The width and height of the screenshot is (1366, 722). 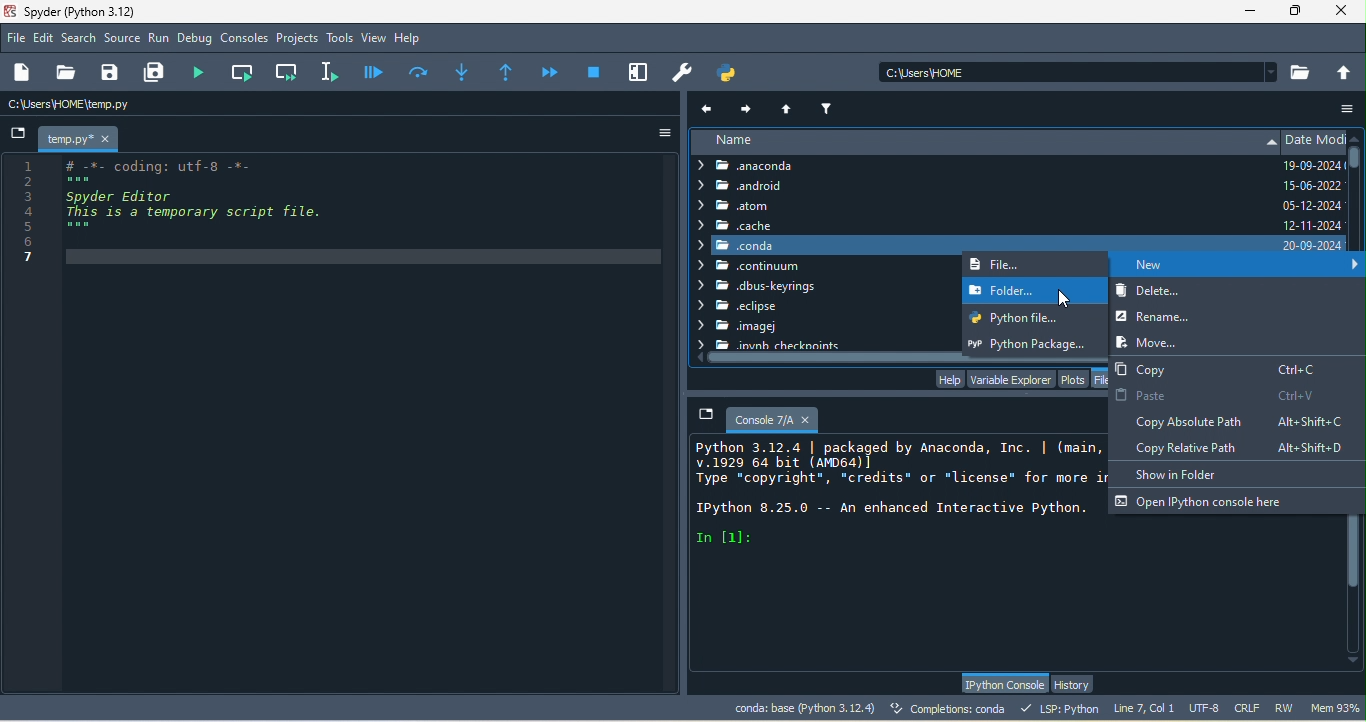 What do you see at coordinates (763, 206) in the screenshot?
I see `atom` at bounding box center [763, 206].